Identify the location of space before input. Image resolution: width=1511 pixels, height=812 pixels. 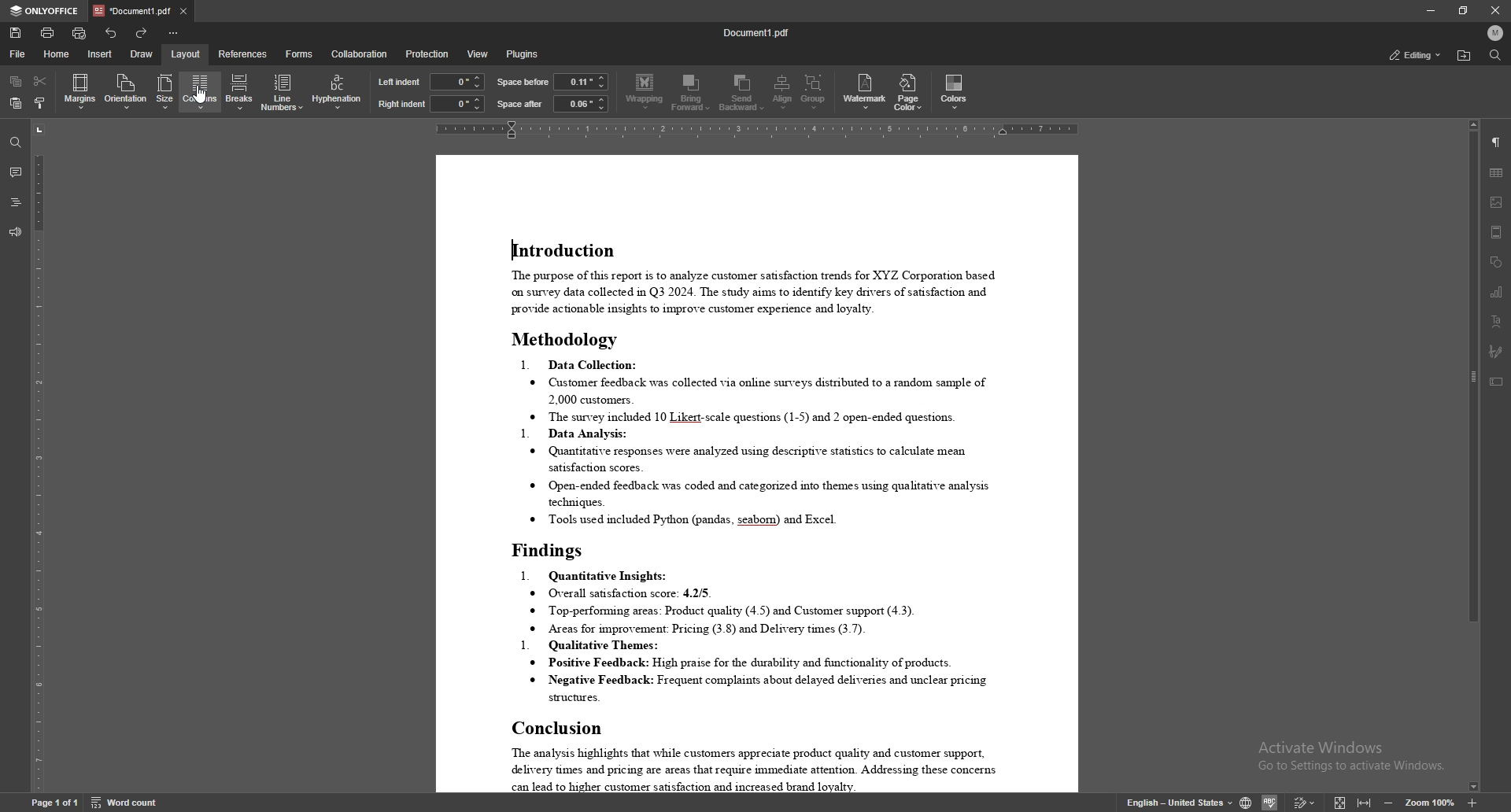
(582, 81).